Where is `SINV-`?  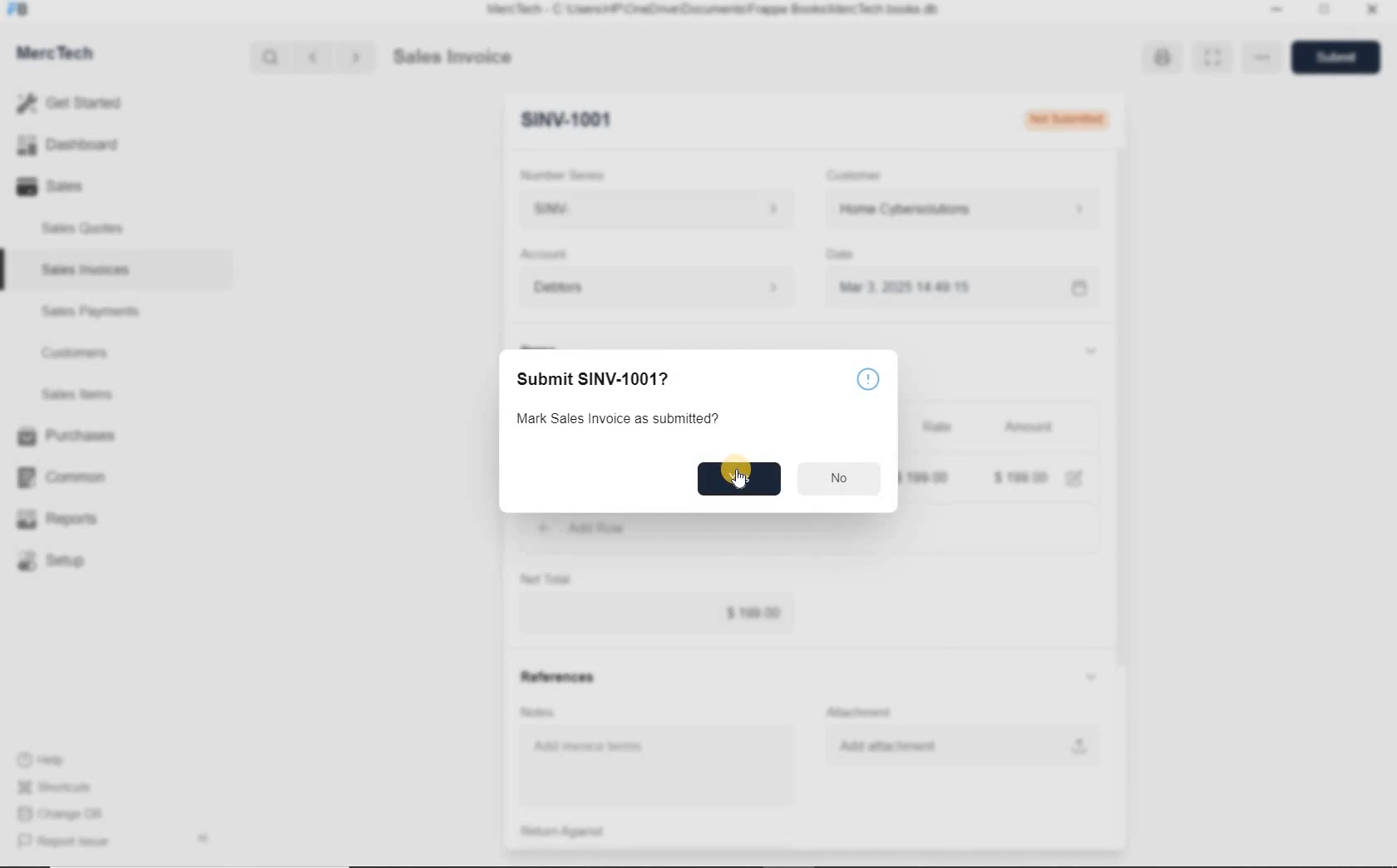
SINV- is located at coordinates (655, 210).